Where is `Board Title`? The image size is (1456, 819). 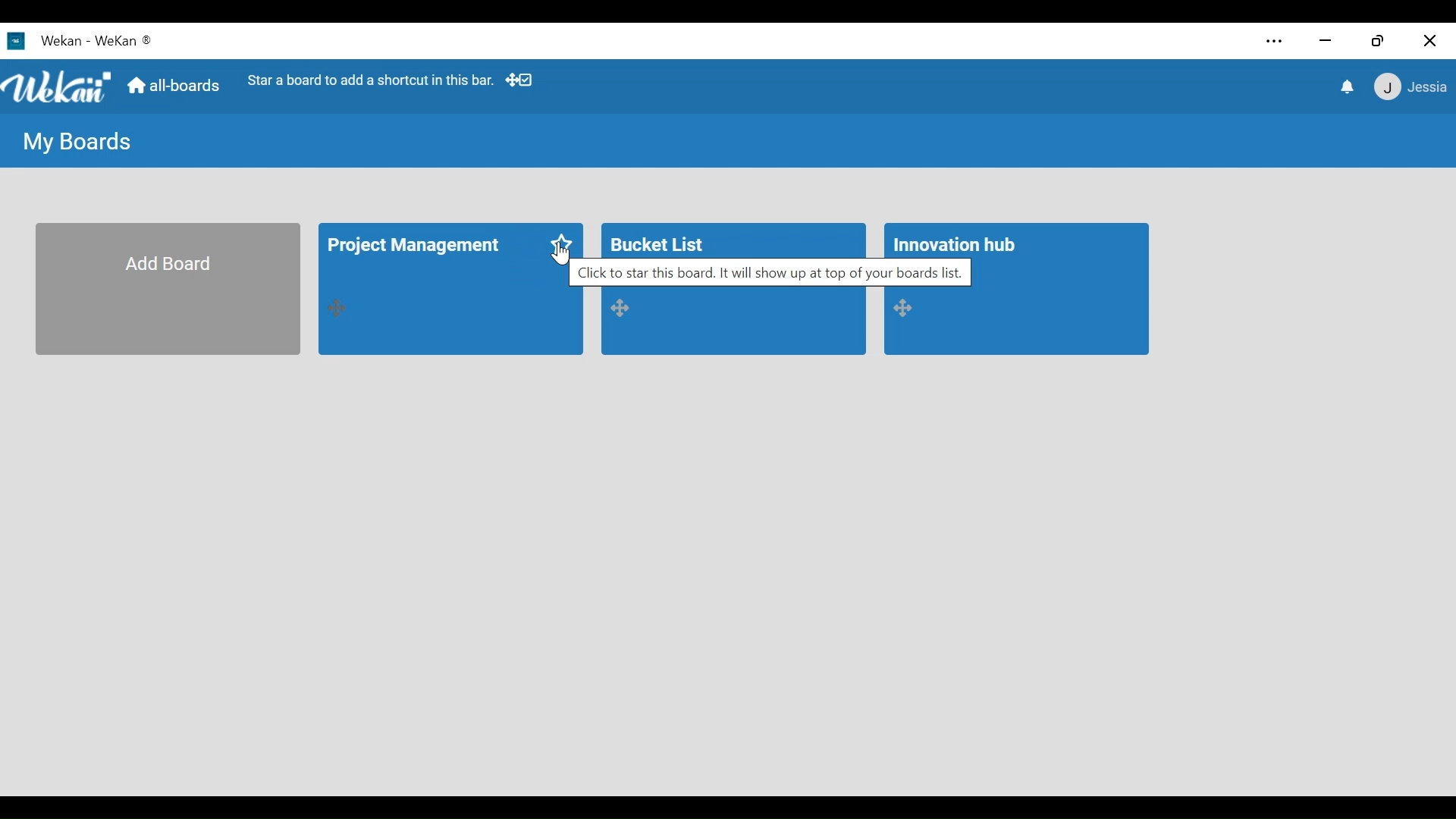 Board Title is located at coordinates (416, 248).